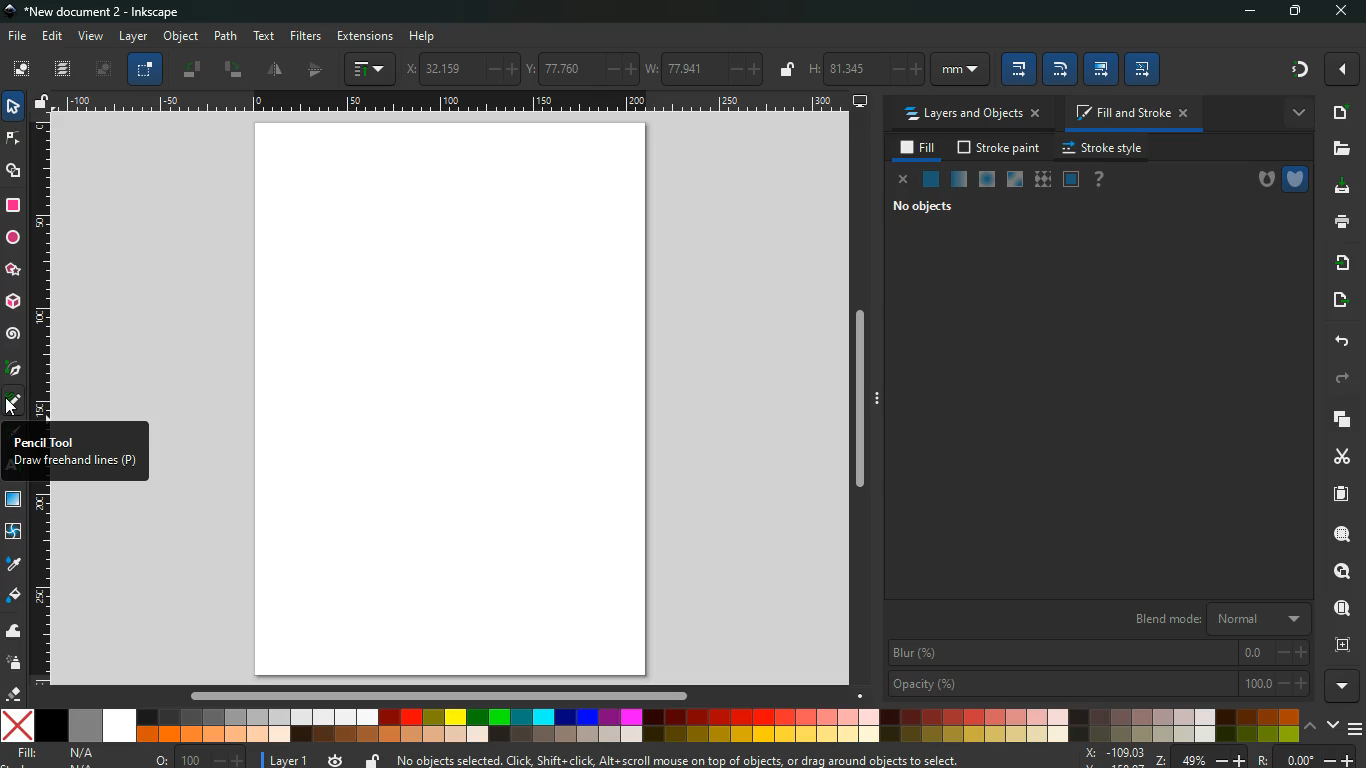 This screenshot has width=1366, height=768. I want to click on layers and objects, so click(972, 114).